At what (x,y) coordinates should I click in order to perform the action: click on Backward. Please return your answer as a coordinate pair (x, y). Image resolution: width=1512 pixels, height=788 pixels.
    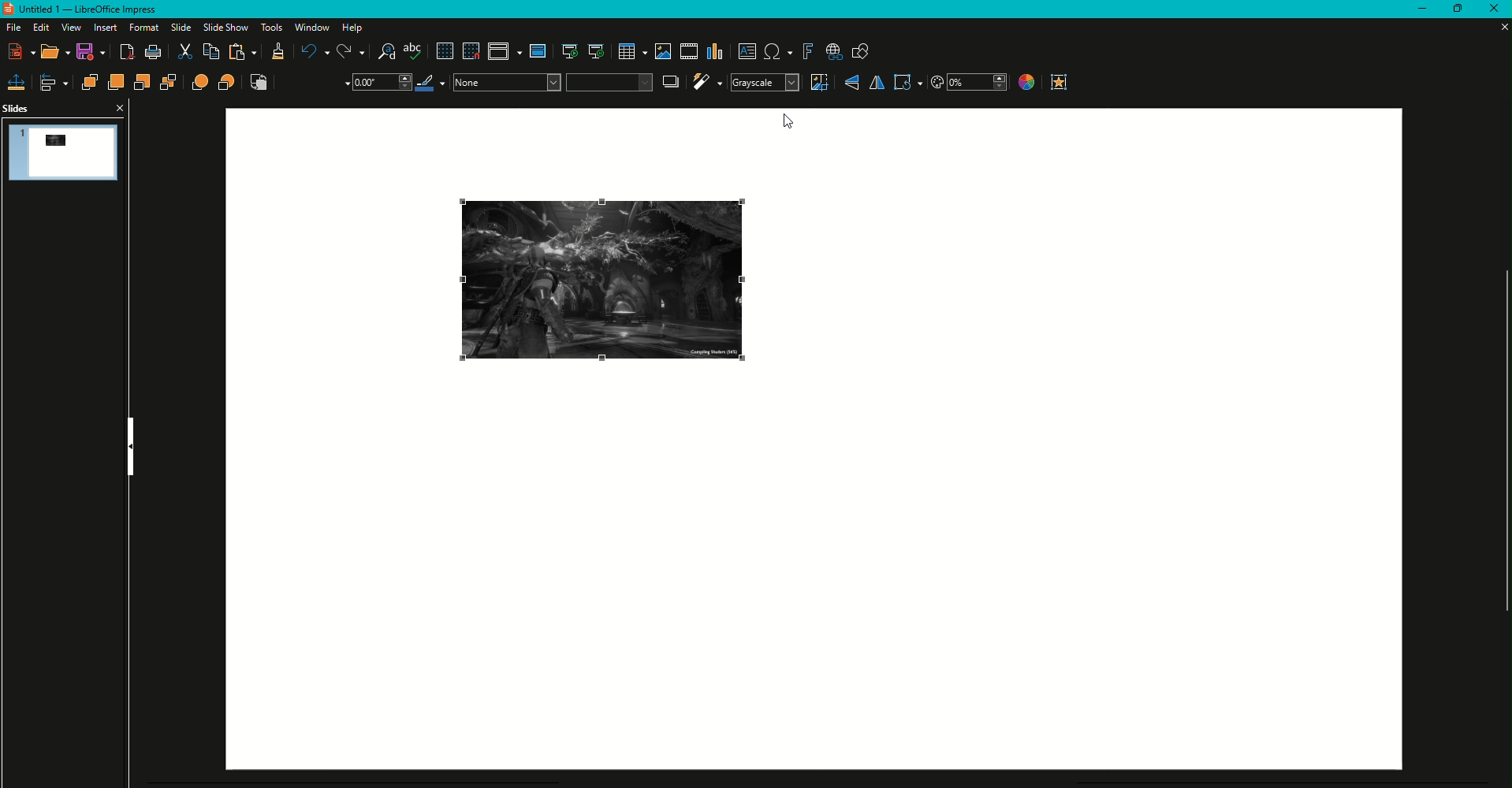
    Looking at the image, I should click on (143, 83).